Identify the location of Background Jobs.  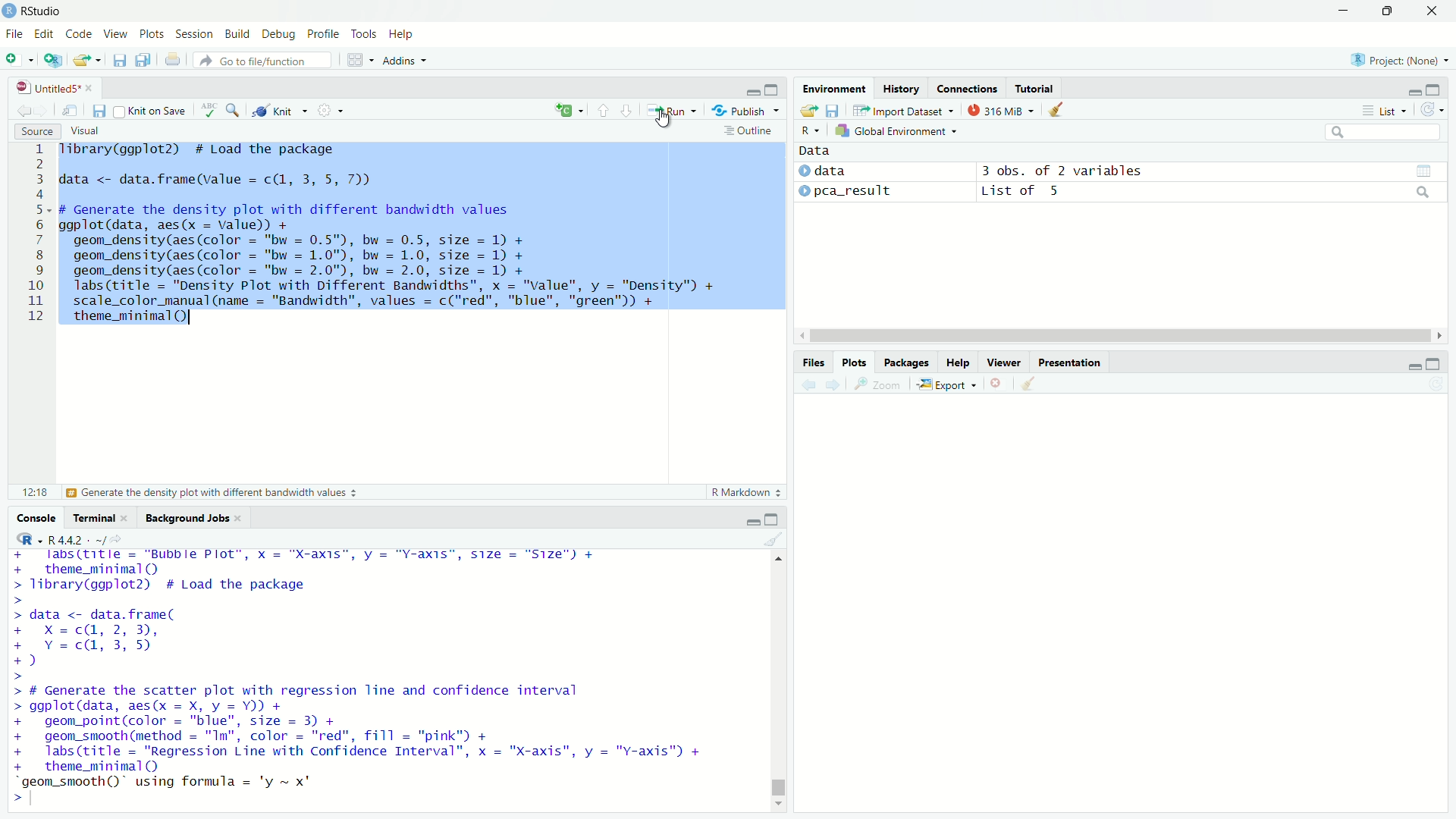
(187, 519).